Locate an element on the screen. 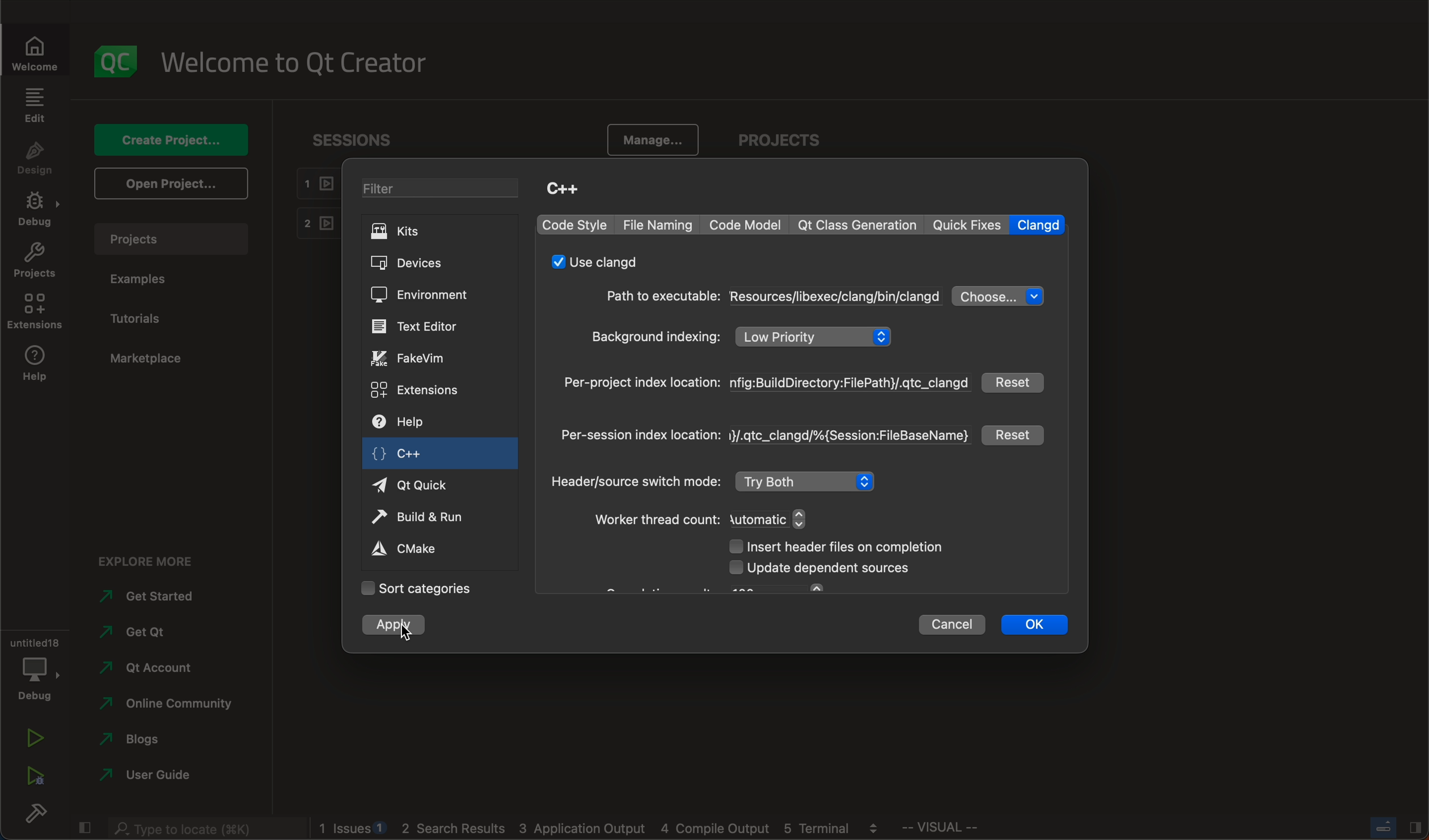 This screenshot has width=1429, height=840. guide is located at coordinates (150, 773).